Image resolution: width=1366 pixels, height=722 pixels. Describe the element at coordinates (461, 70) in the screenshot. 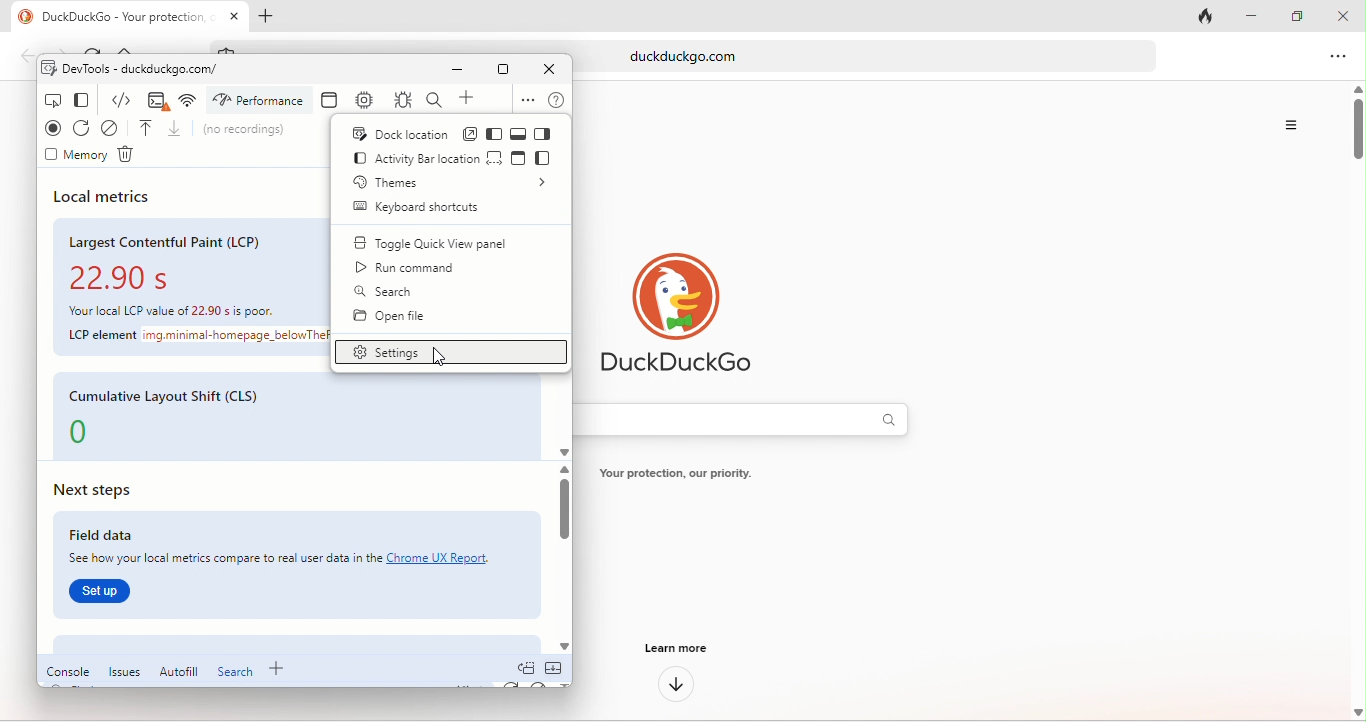

I see `minimize` at that location.